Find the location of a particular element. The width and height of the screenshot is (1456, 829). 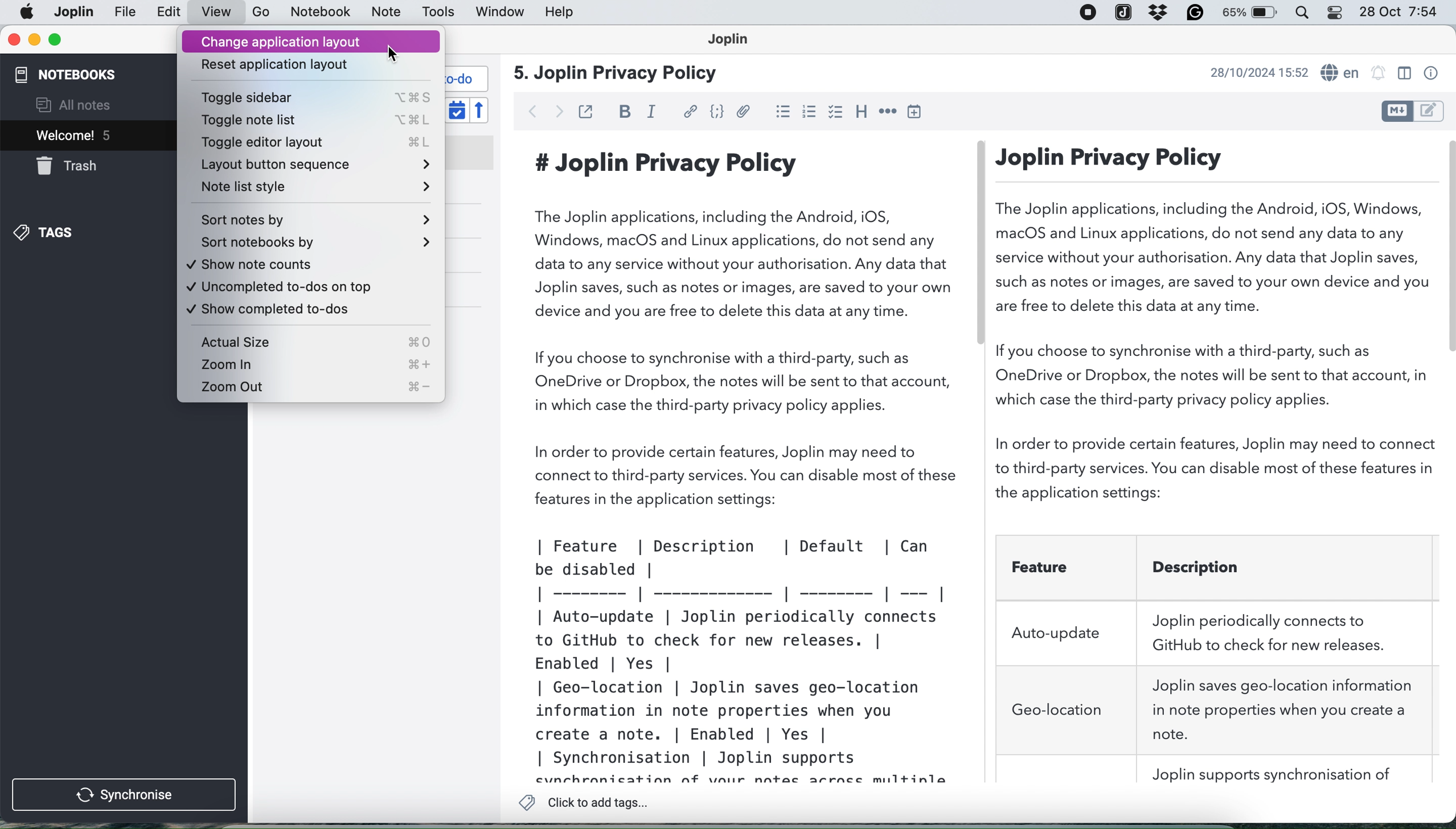

Sort notebooks by is located at coordinates (314, 244).